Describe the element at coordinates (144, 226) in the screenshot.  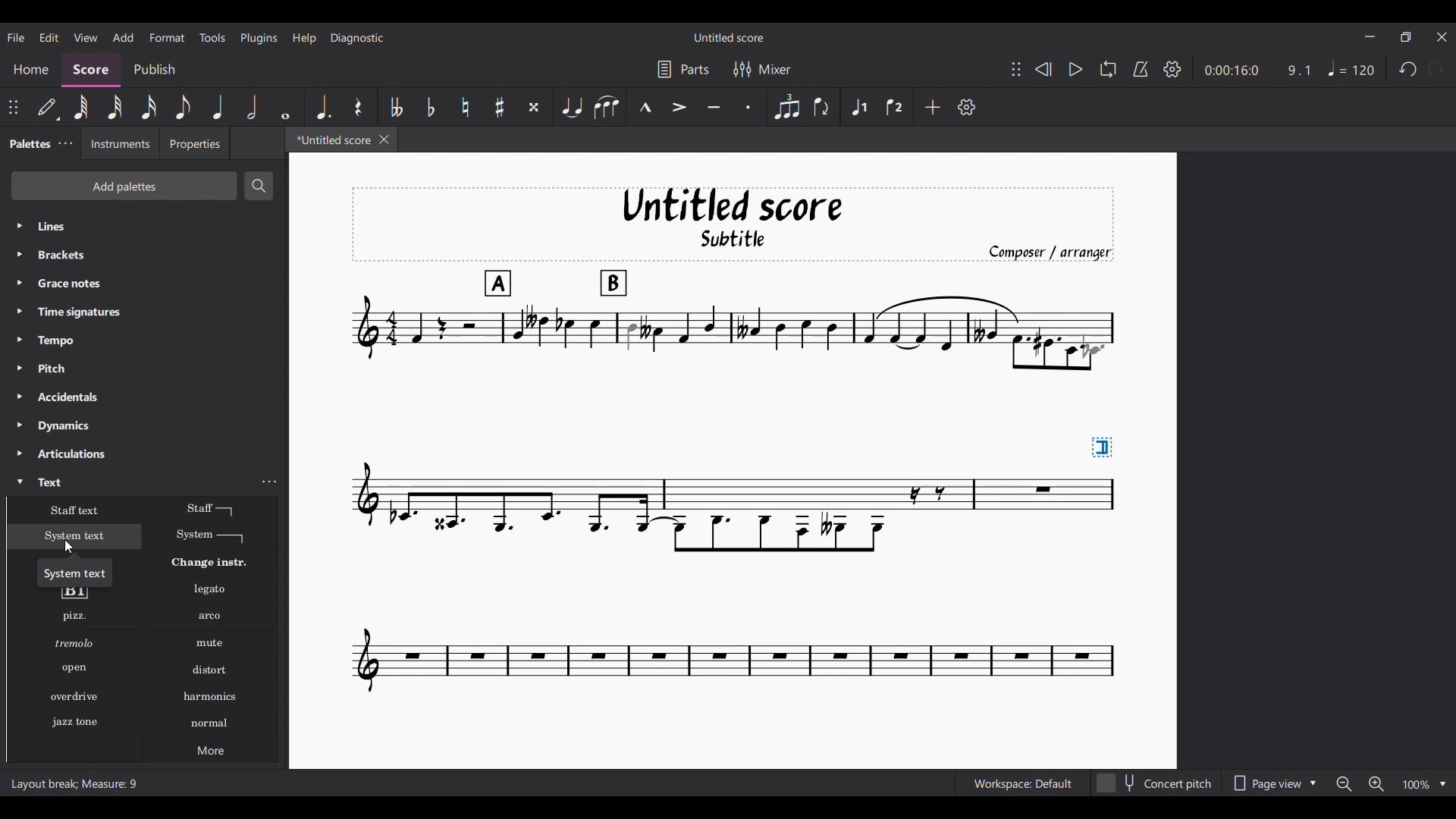
I see `Lines` at that location.